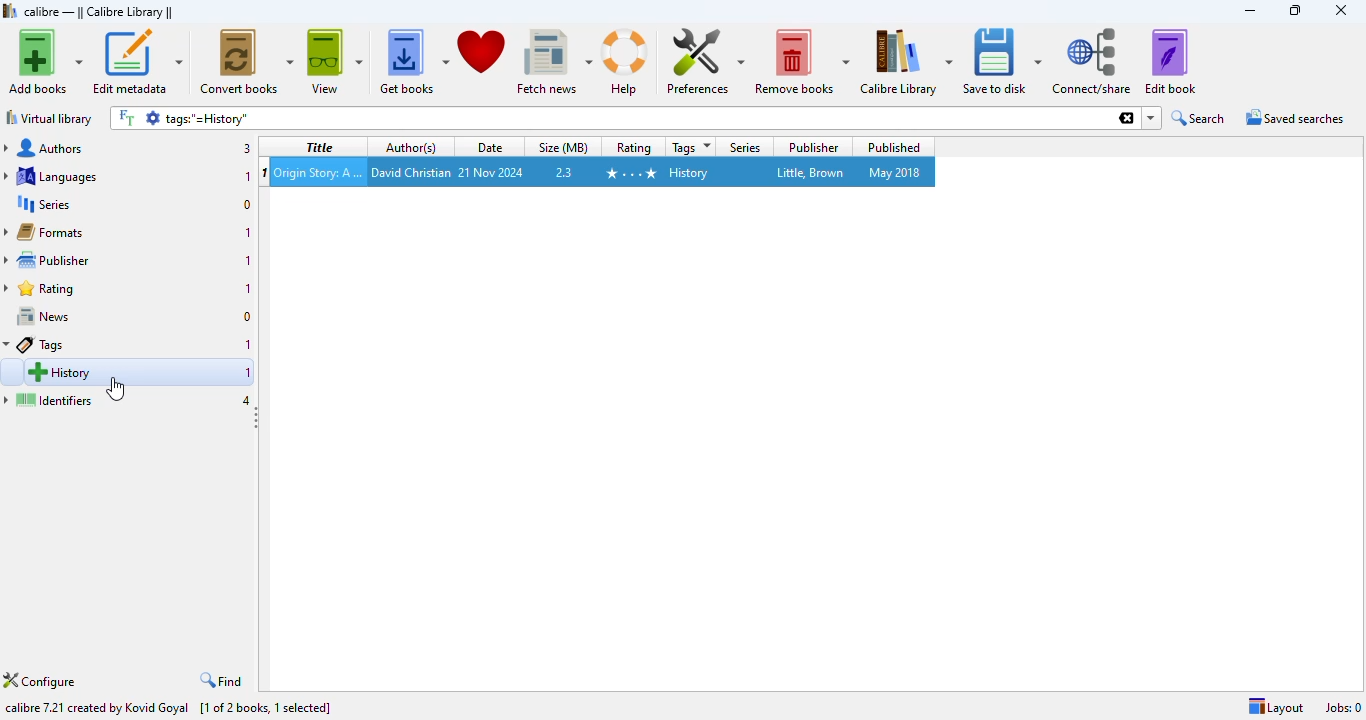  I want to click on cursor, so click(116, 388).